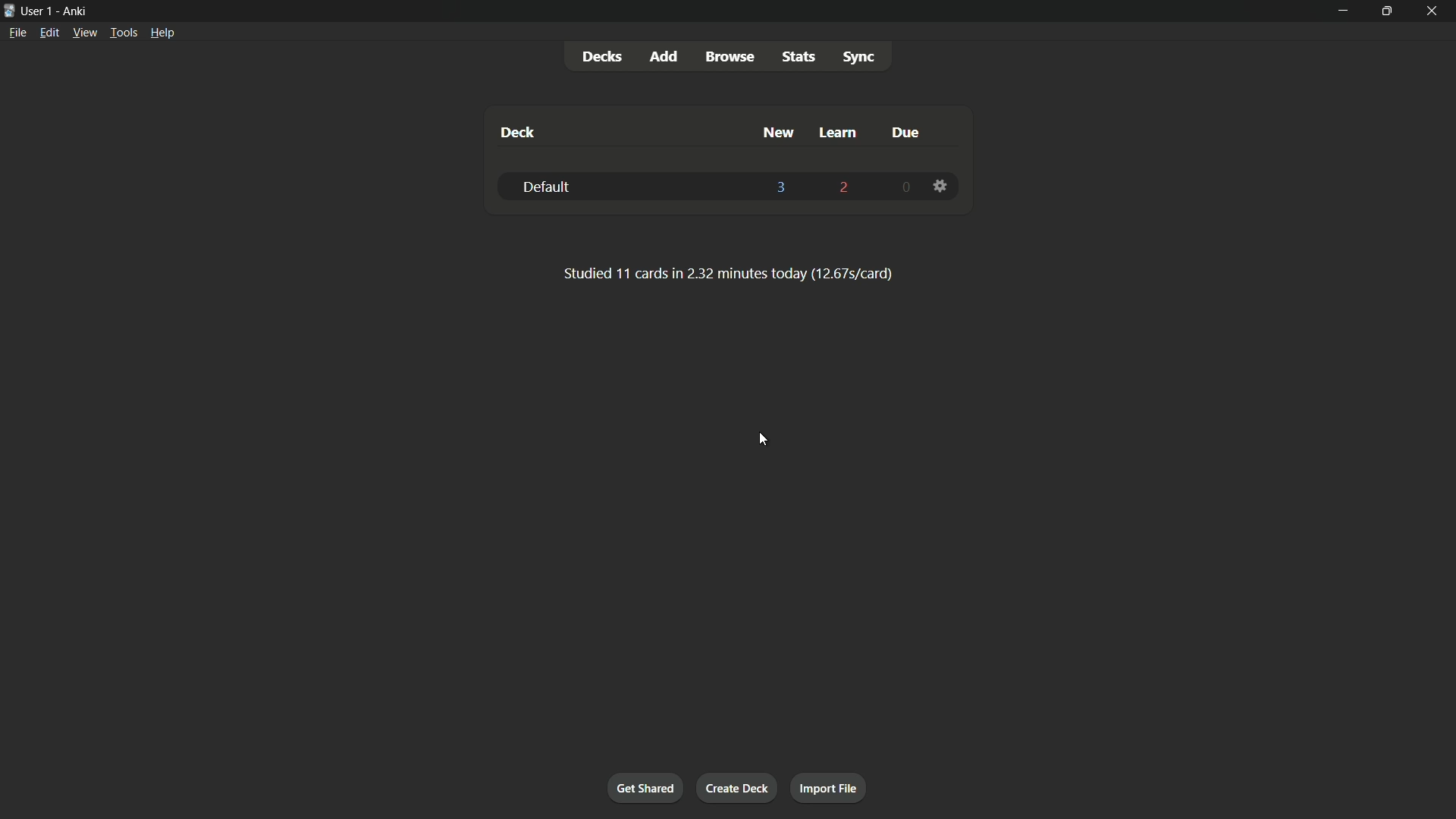 This screenshot has height=819, width=1456. Describe the element at coordinates (799, 57) in the screenshot. I see `stats` at that location.